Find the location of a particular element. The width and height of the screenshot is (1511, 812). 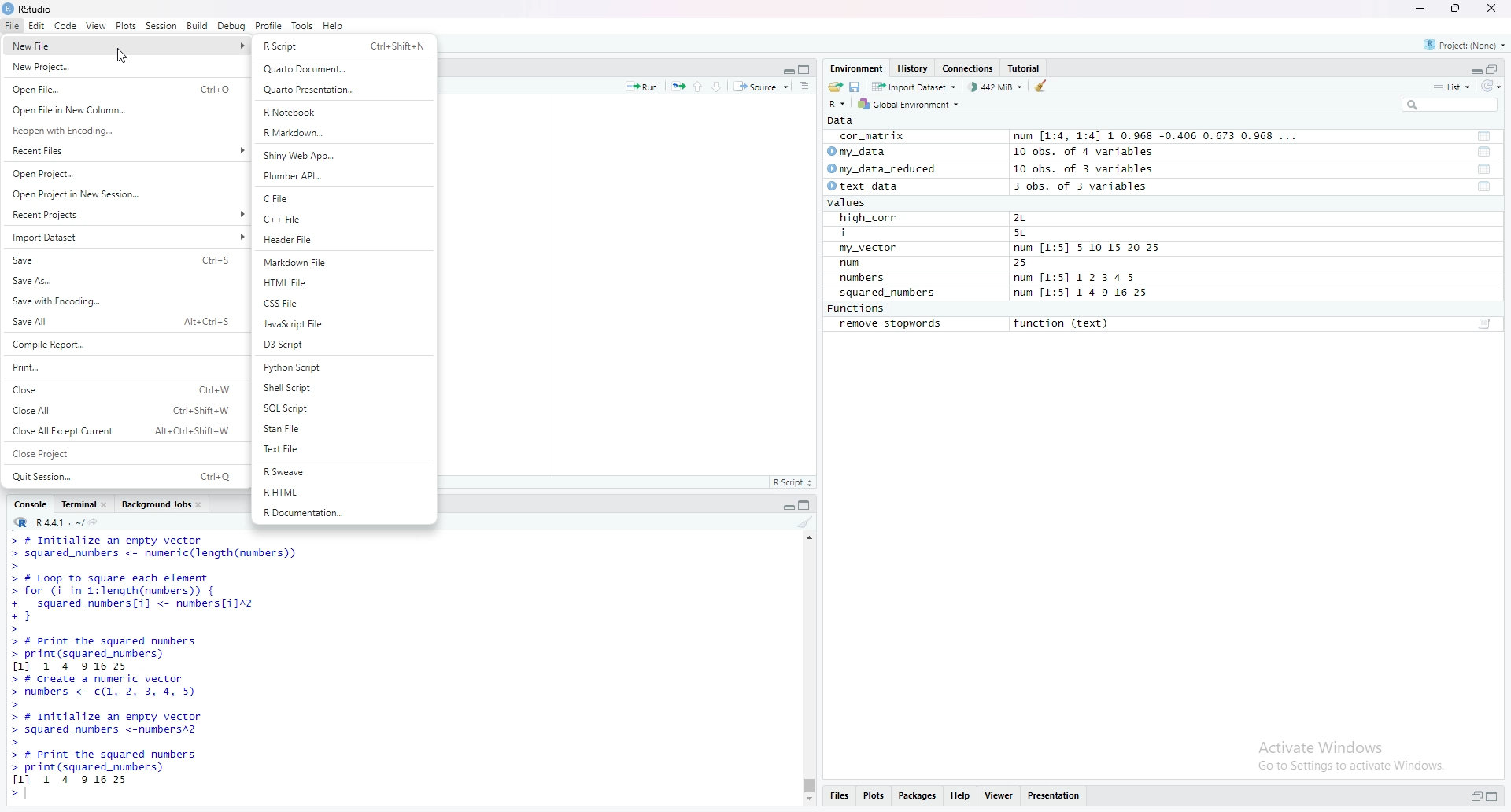

high_corr is located at coordinates (866, 217).